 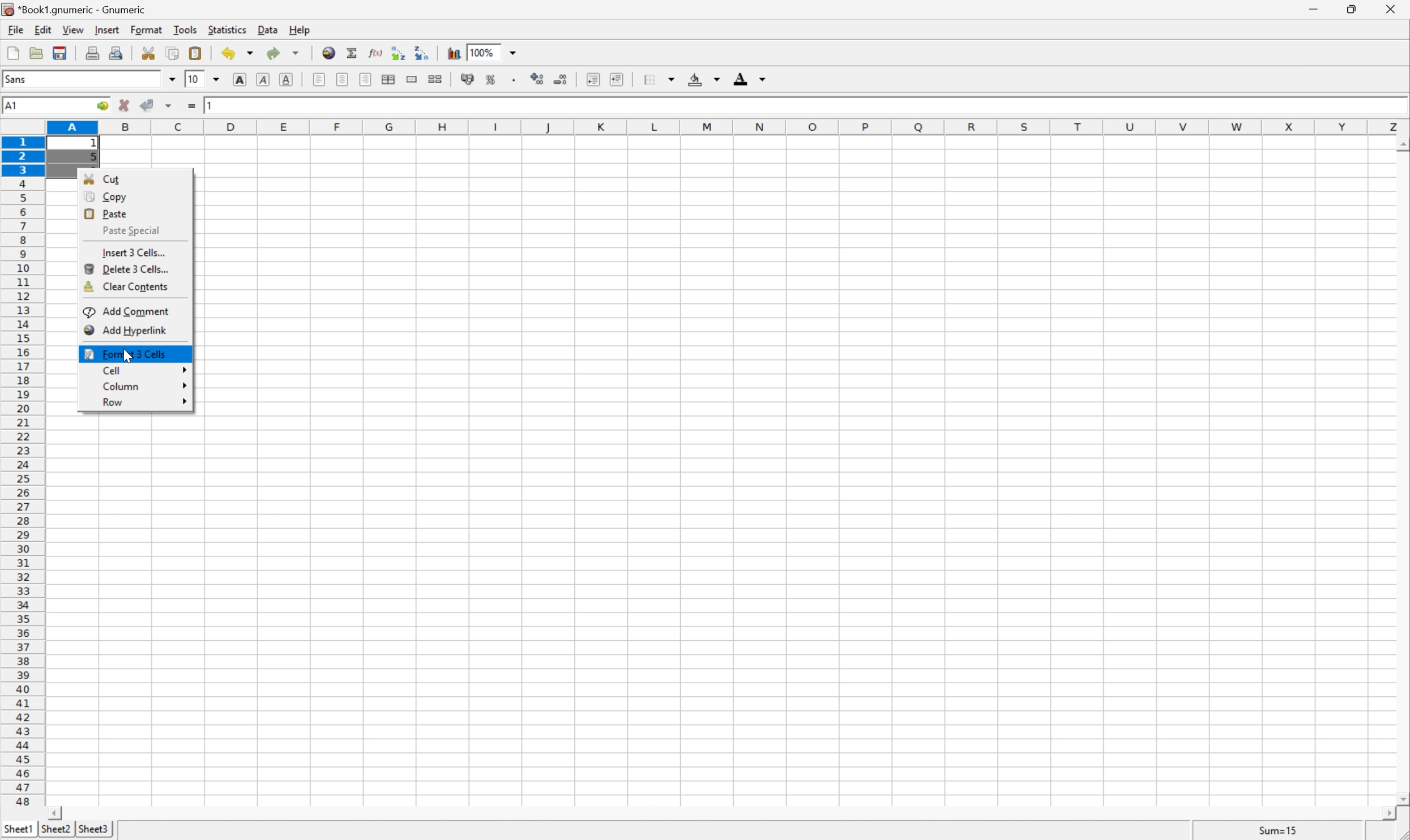 I want to click on bold, so click(x=242, y=80).